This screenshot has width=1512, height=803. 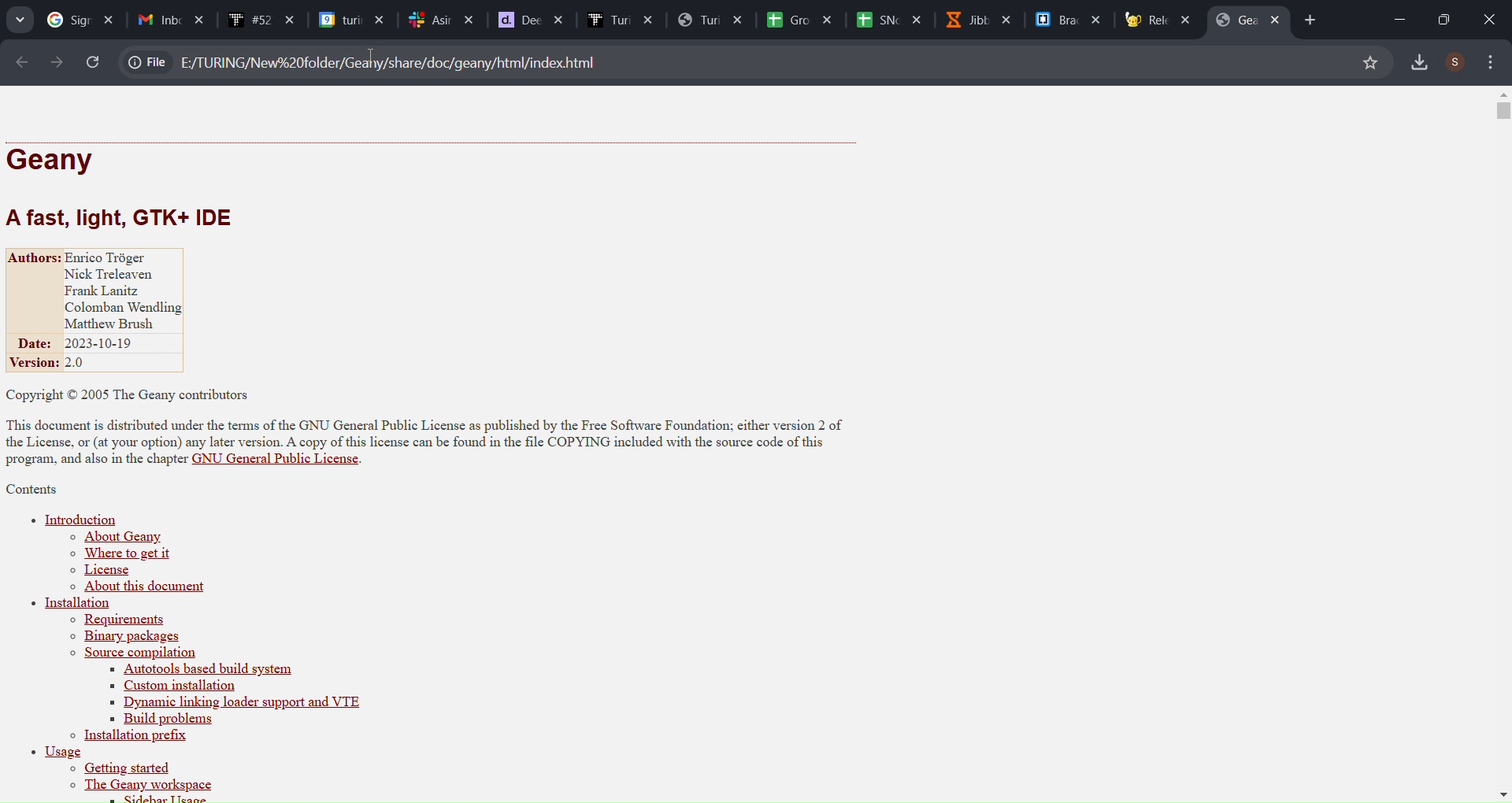 What do you see at coordinates (1313, 20) in the screenshot?
I see `add tab` at bounding box center [1313, 20].